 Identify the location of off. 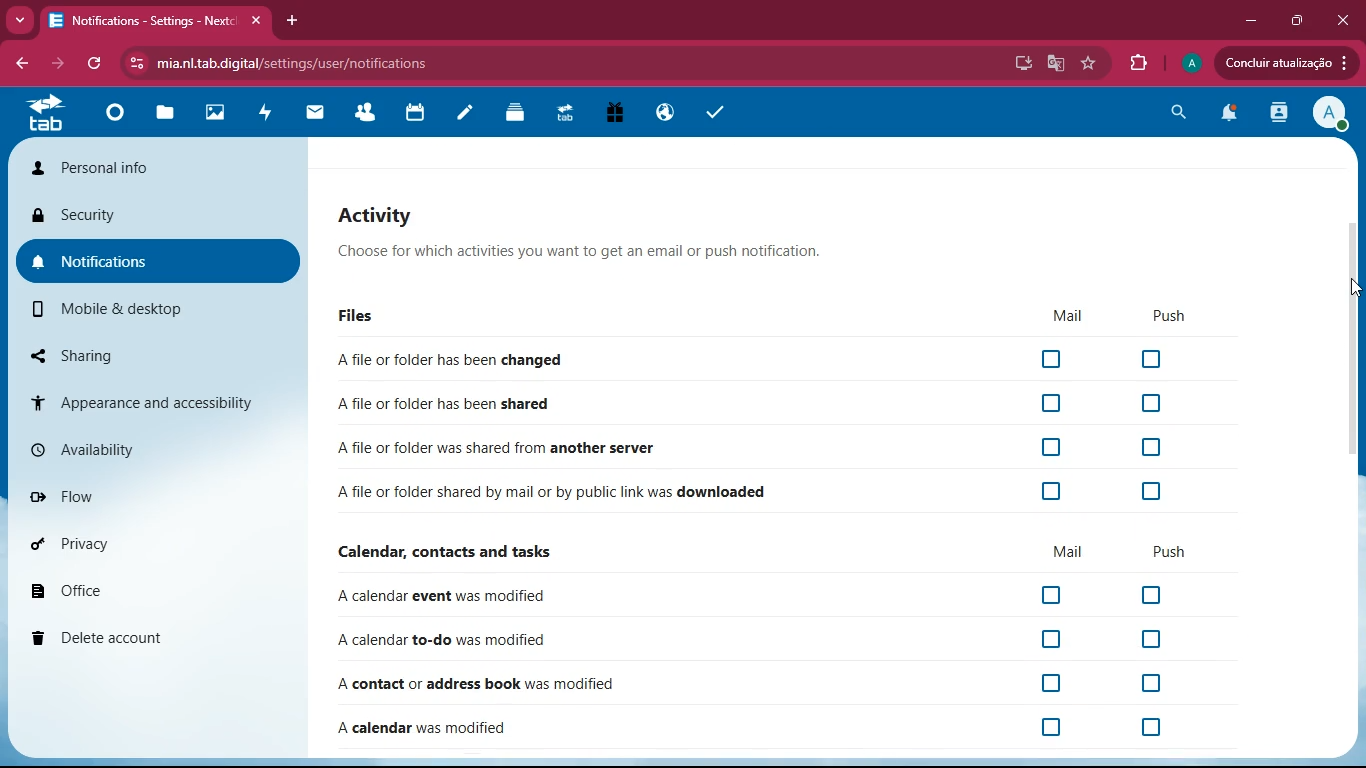
(1054, 729).